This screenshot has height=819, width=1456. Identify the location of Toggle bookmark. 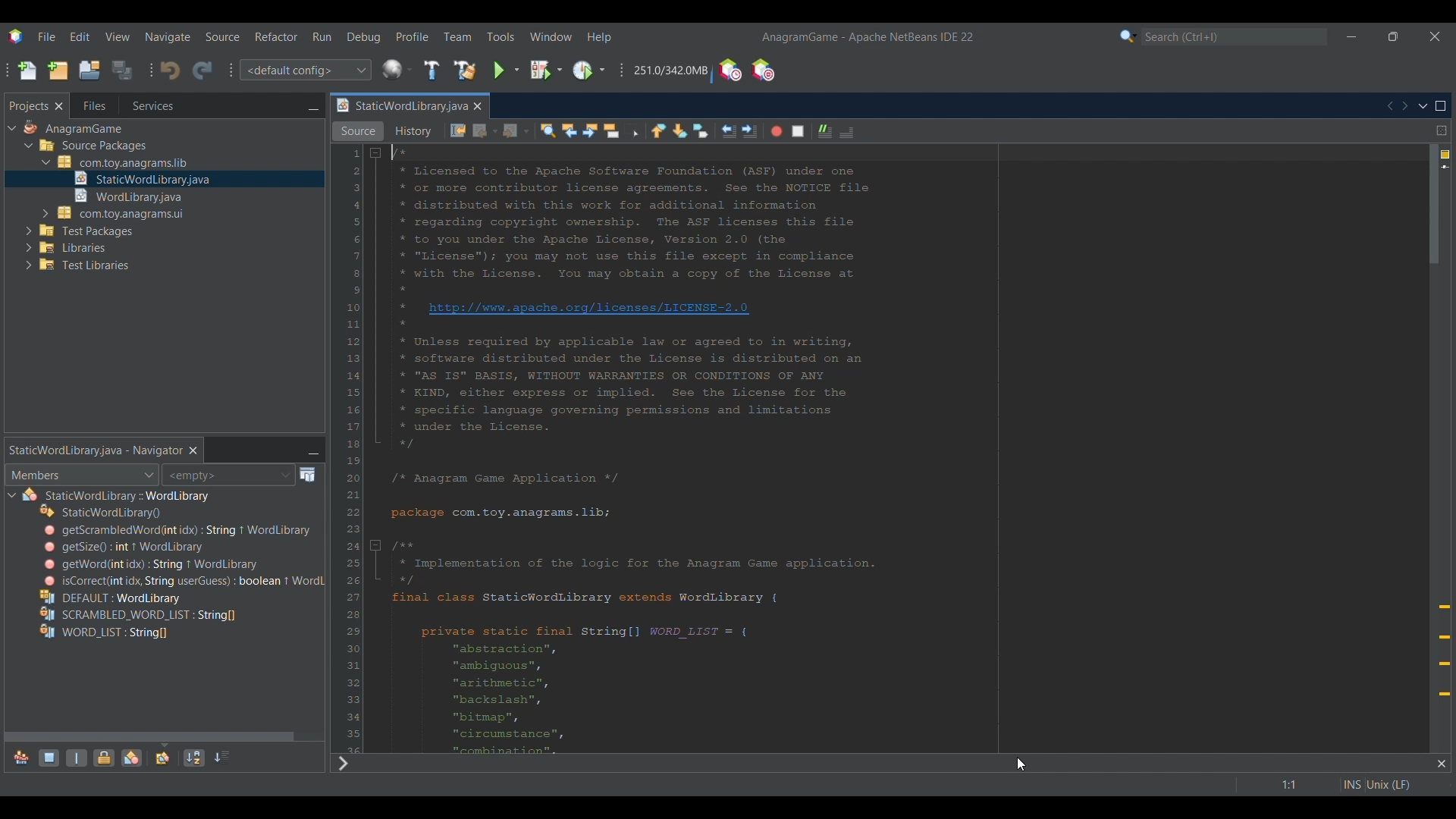
(701, 131).